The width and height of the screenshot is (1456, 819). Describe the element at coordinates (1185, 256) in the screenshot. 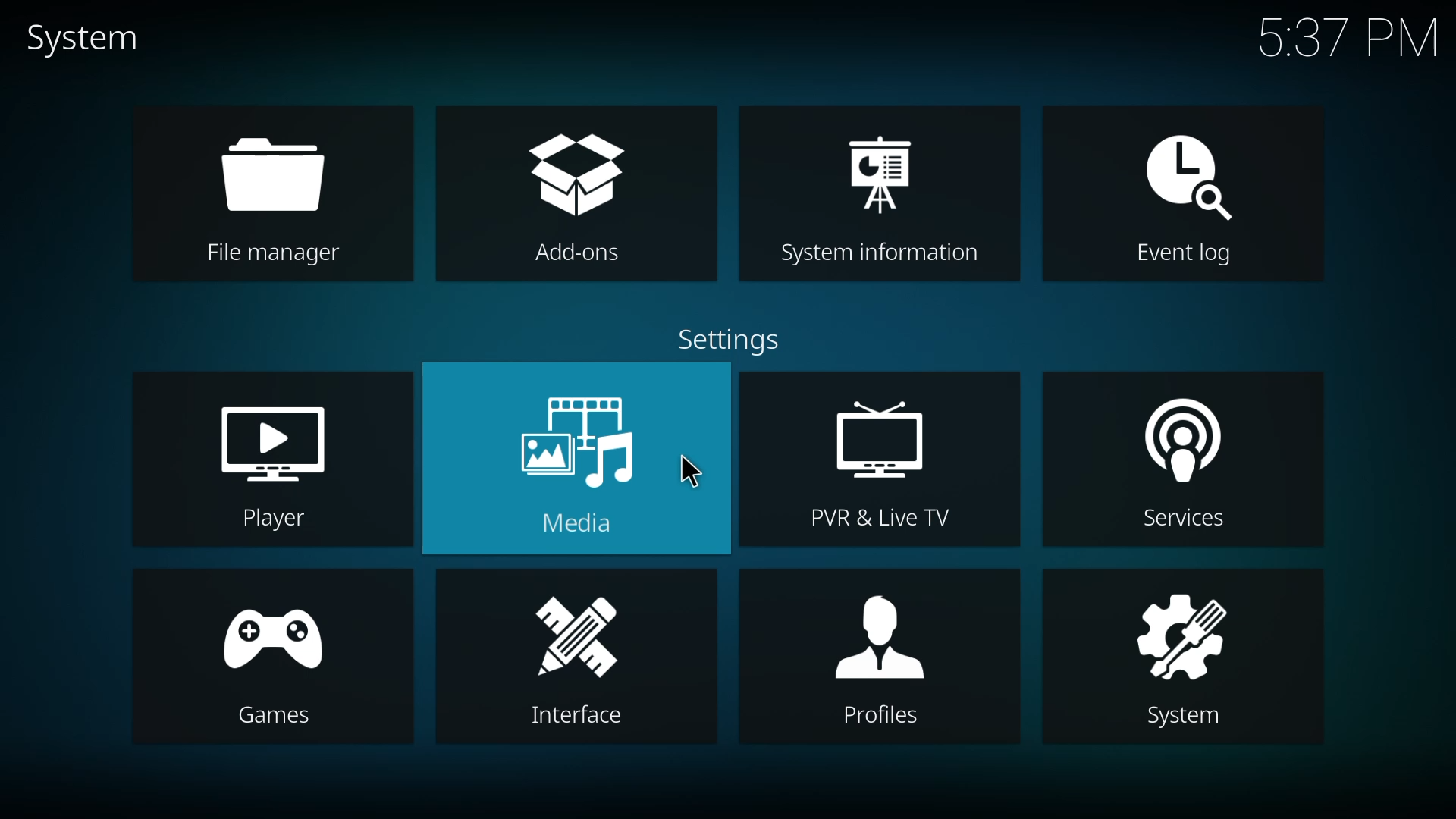

I see `Event log` at that location.